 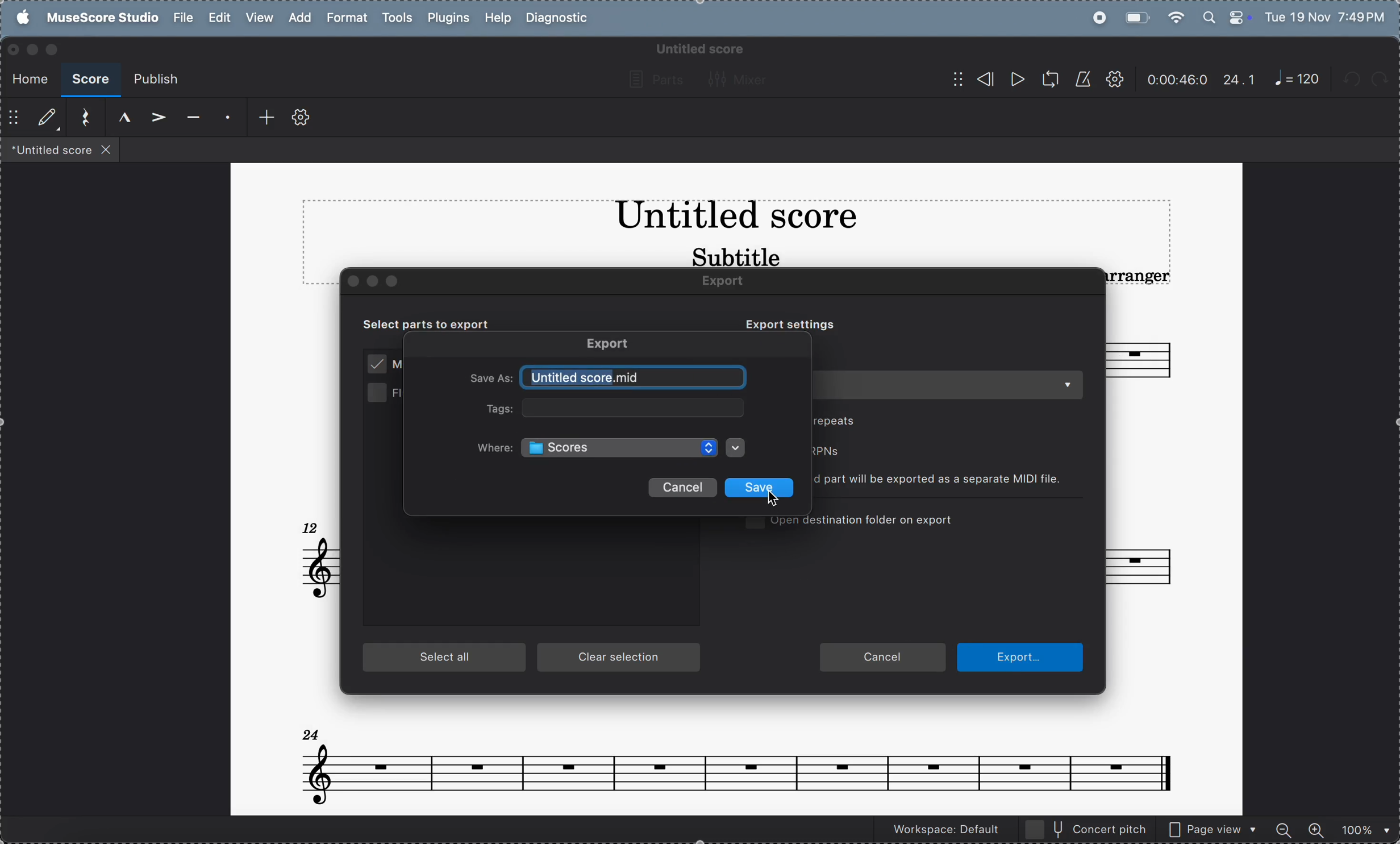 What do you see at coordinates (1362, 829) in the screenshot?
I see `zoom percentage` at bounding box center [1362, 829].